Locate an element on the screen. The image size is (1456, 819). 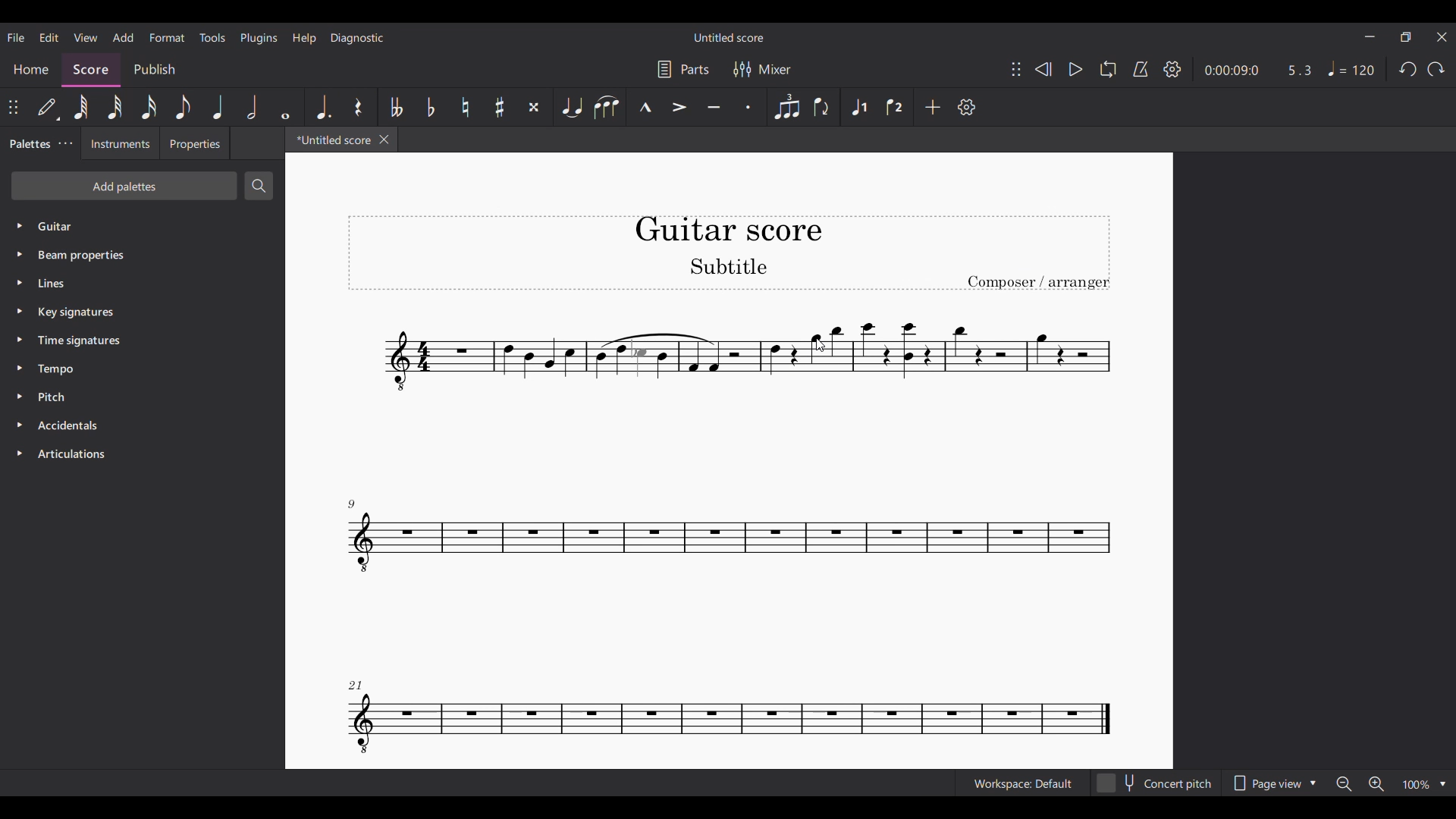
Change position is located at coordinates (1016, 69).